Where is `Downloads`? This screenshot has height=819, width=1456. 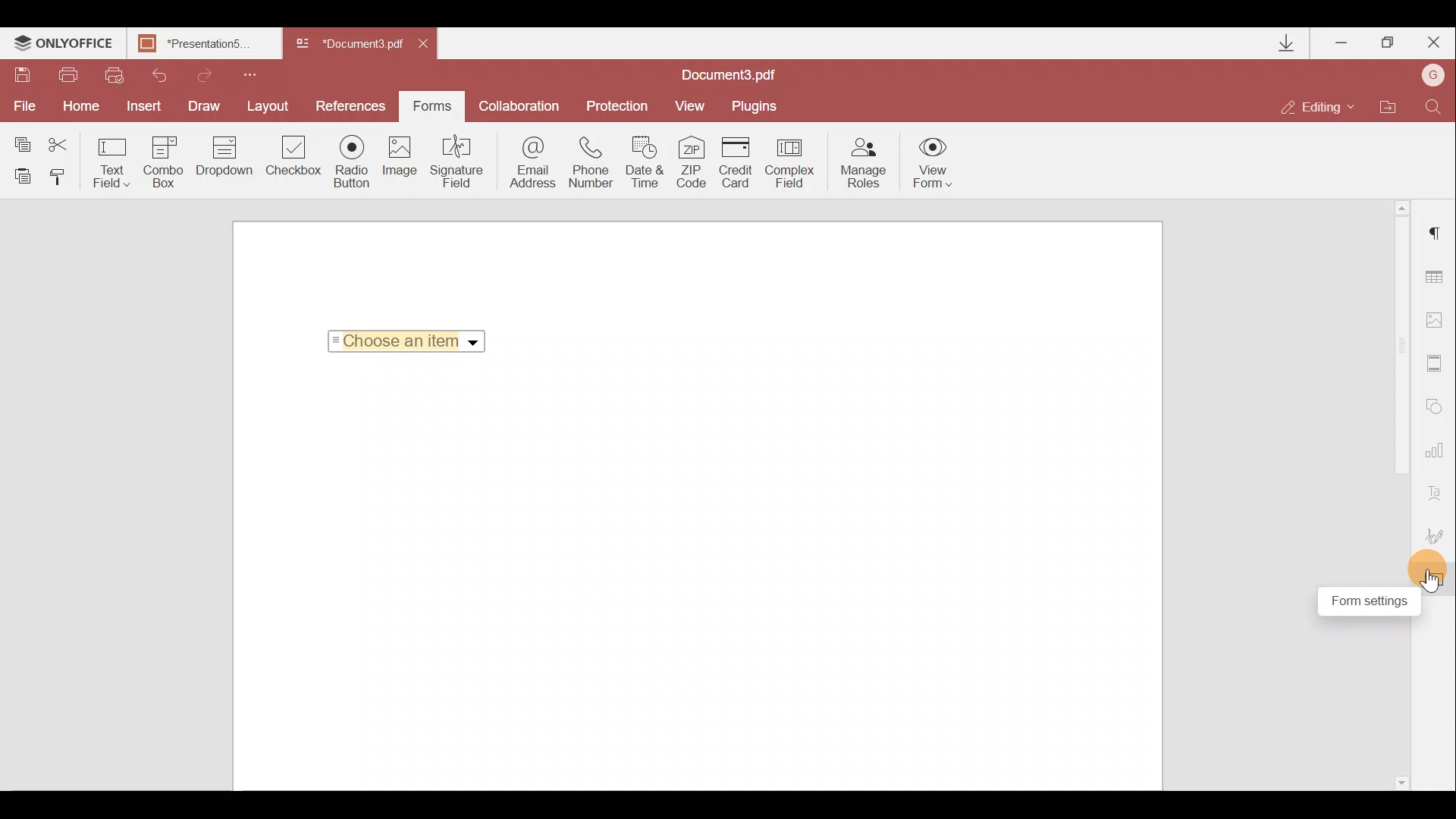 Downloads is located at coordinates (1288, 43).